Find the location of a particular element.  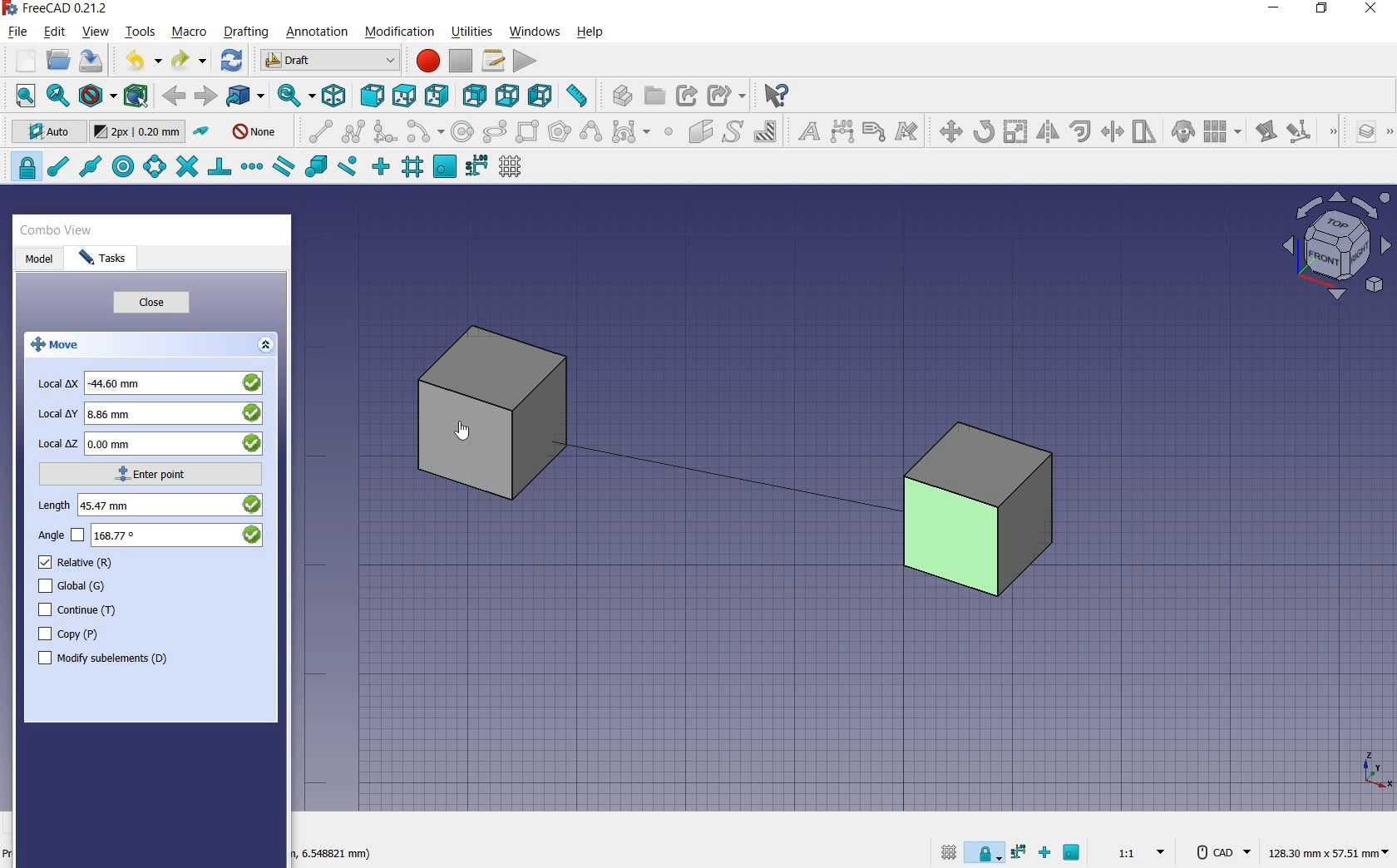

move is located at coordinates (947, 131).